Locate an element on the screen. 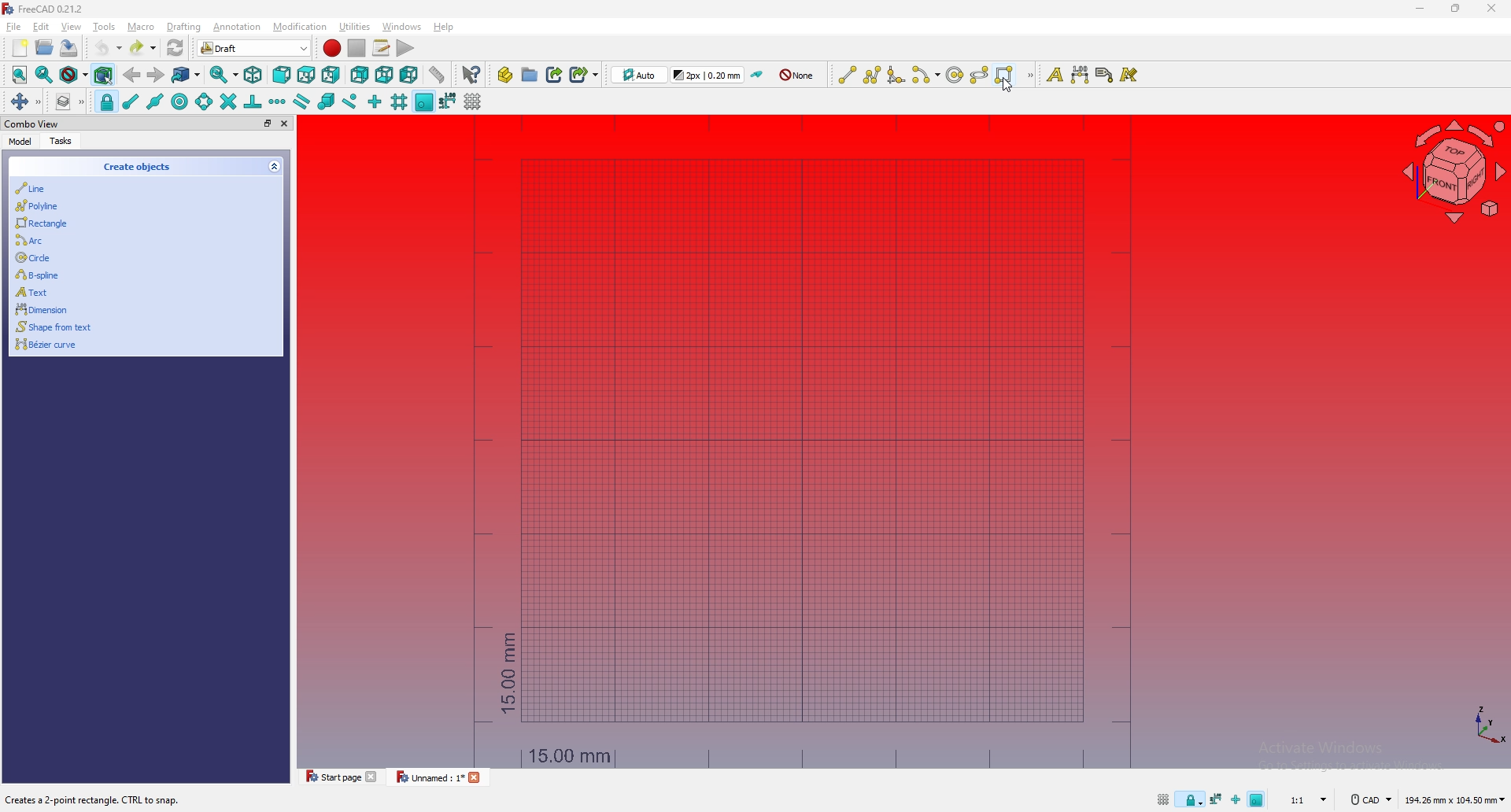 The height and width of the screenshot is (812, 1511). navigating cube is located at coordinates (1448, 172).